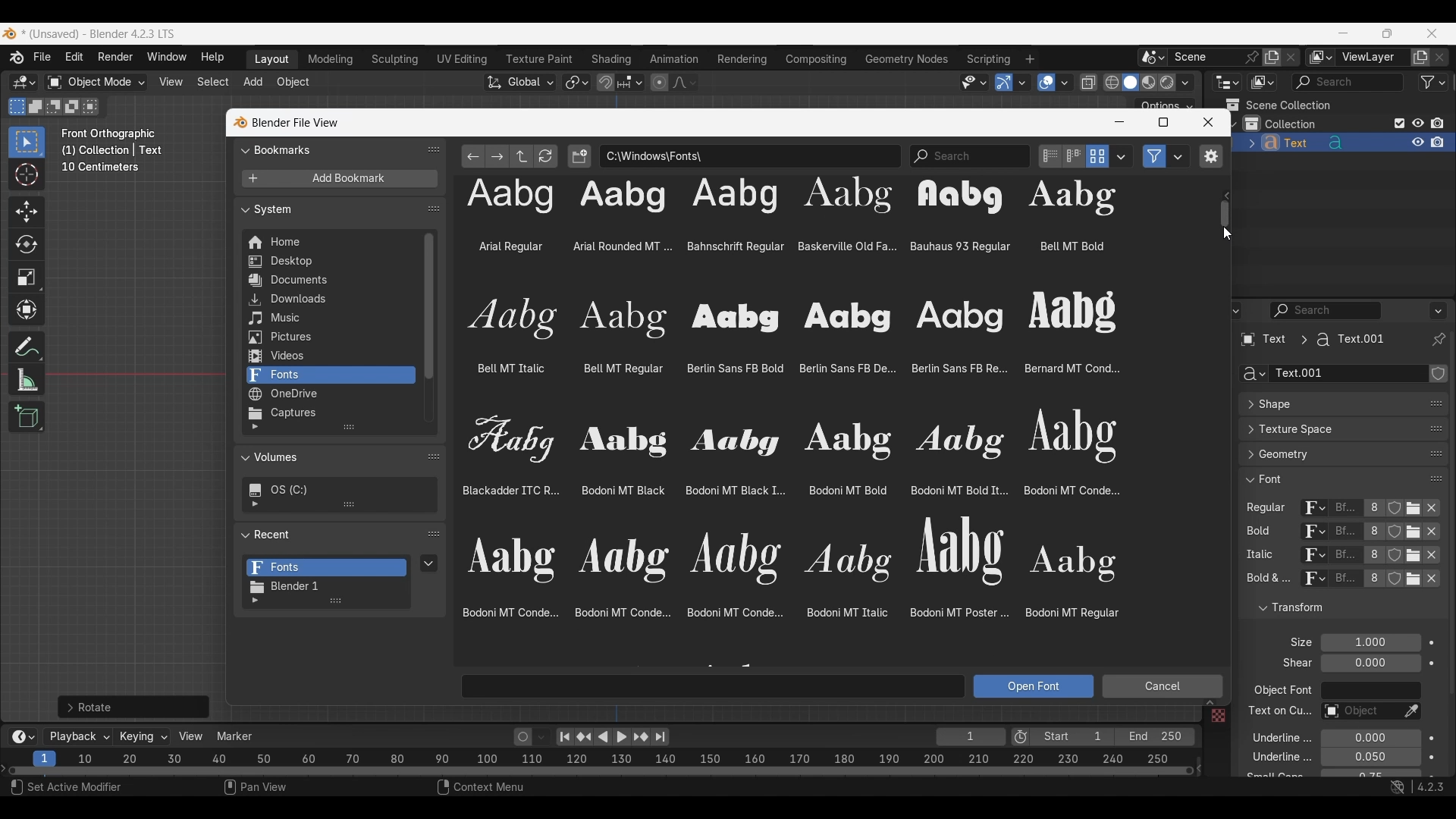  I want to click on nlink respective attribute, so click(1406, 555).